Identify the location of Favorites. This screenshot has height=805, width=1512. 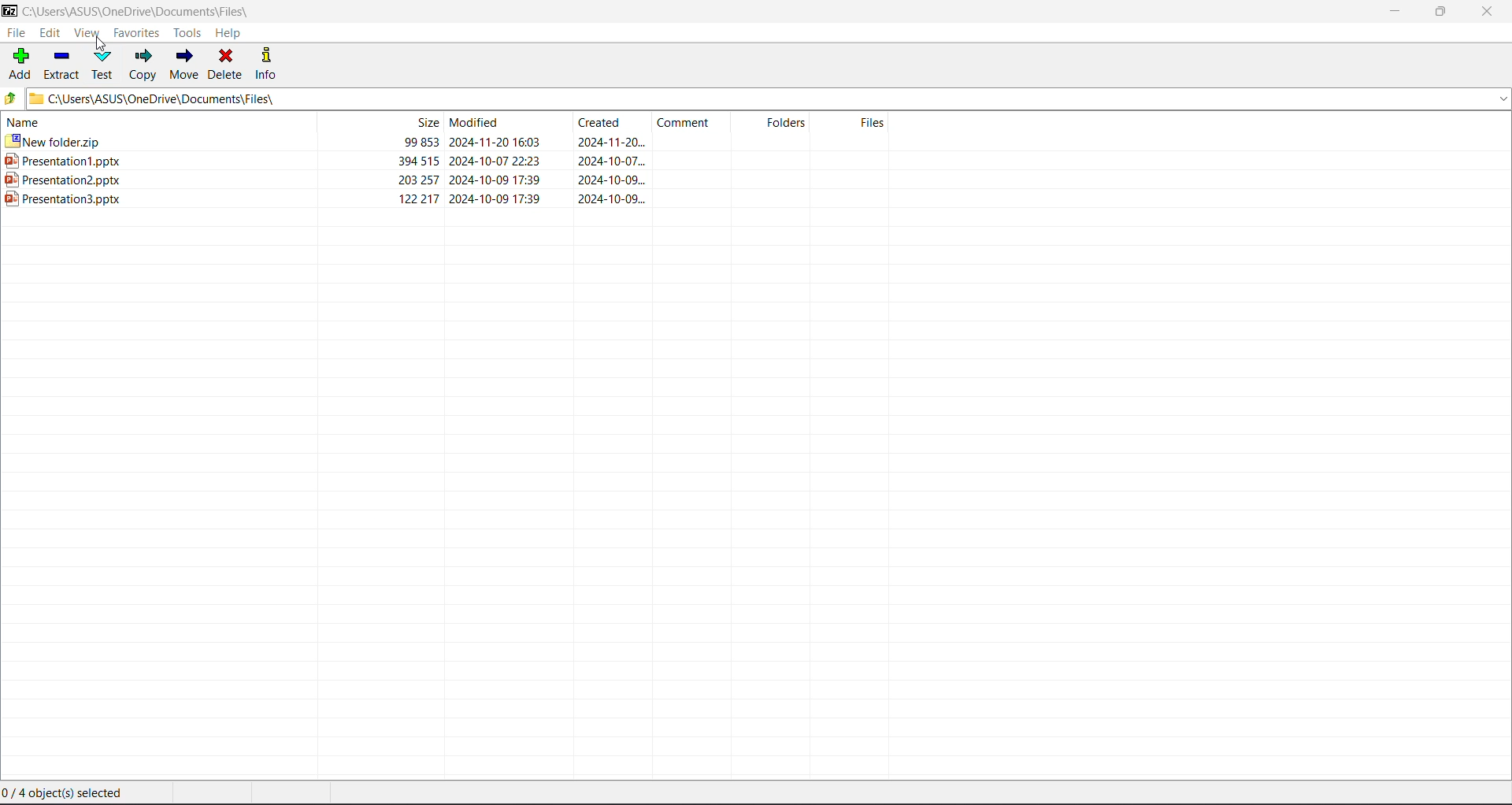
(138, 33).